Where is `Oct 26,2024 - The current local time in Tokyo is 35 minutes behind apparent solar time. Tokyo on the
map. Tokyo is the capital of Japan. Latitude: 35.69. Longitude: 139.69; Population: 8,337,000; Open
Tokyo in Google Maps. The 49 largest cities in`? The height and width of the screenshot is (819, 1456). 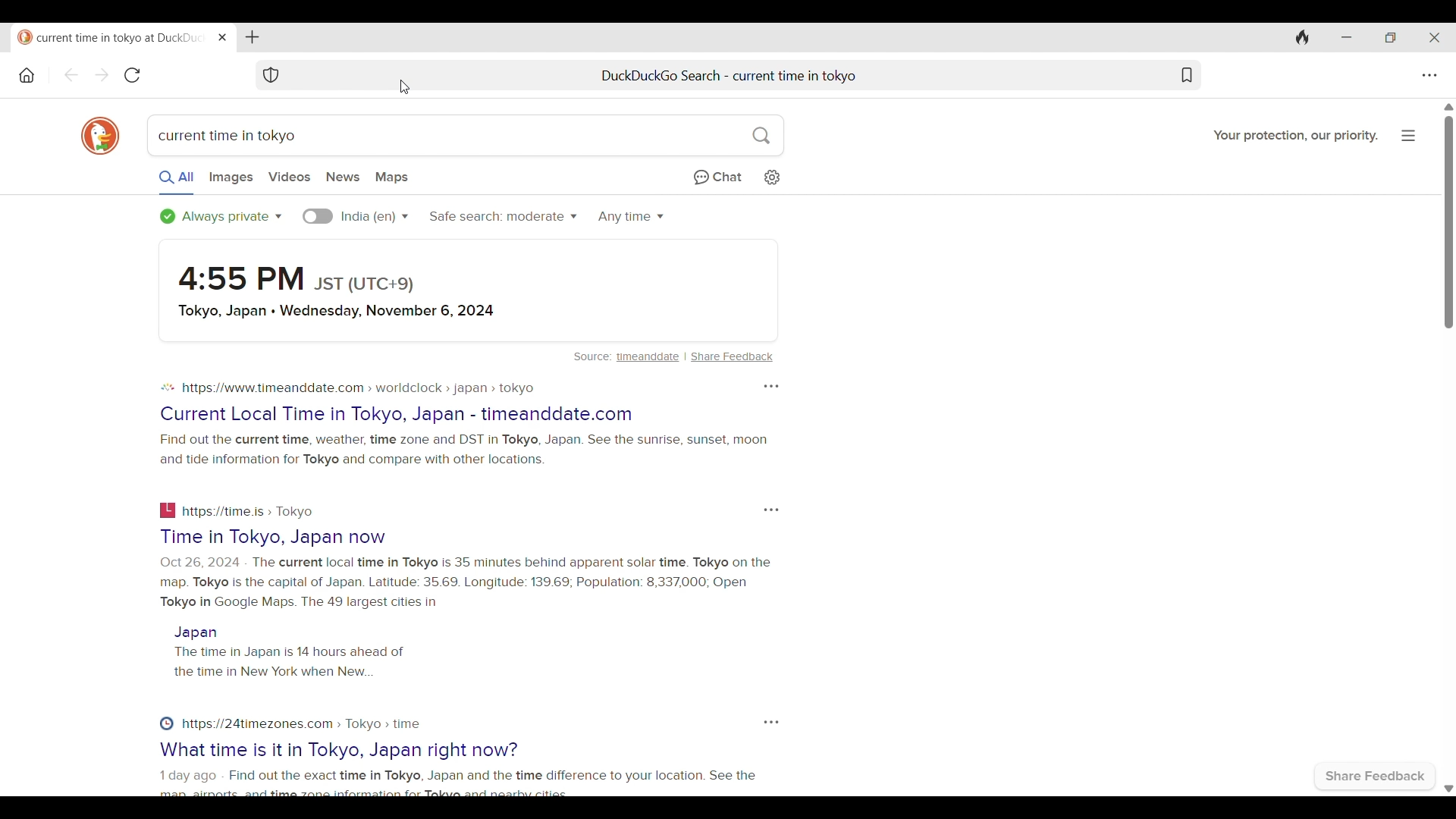
Oct 26,2024 - The current local time in Tokyo is 35 minutes behind apparent solar time. Tokyo on the
map. Tokyo is the capital of Japan. Latitude: 35.69. Longitude: 139.69; Population: 8,337,000; Open
Tokyo in Google Maps. The 49 largest cities in is located at coordinates (466, 583).